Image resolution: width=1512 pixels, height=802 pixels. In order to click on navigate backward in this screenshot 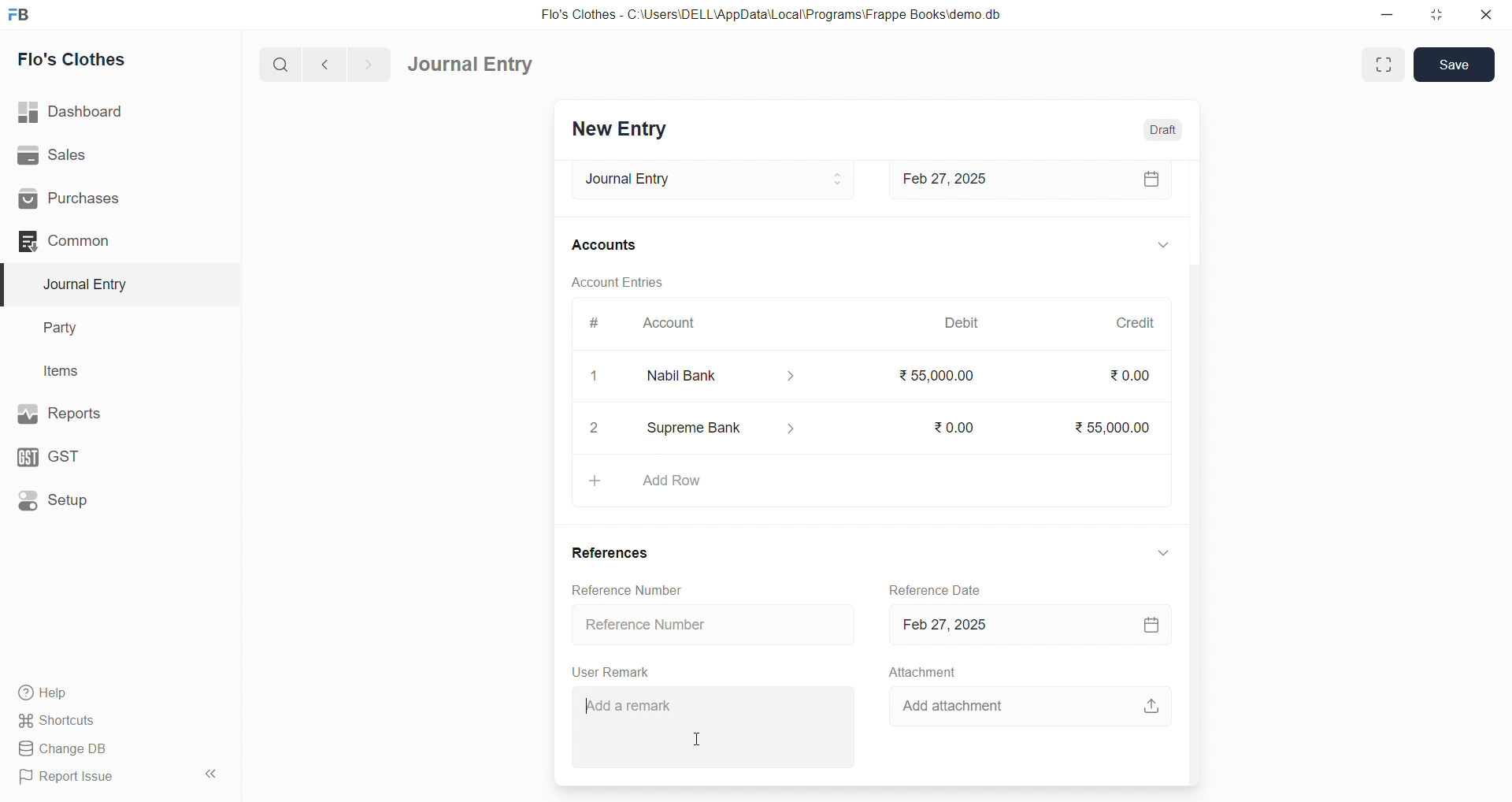, I will do `click(327, 65)`.